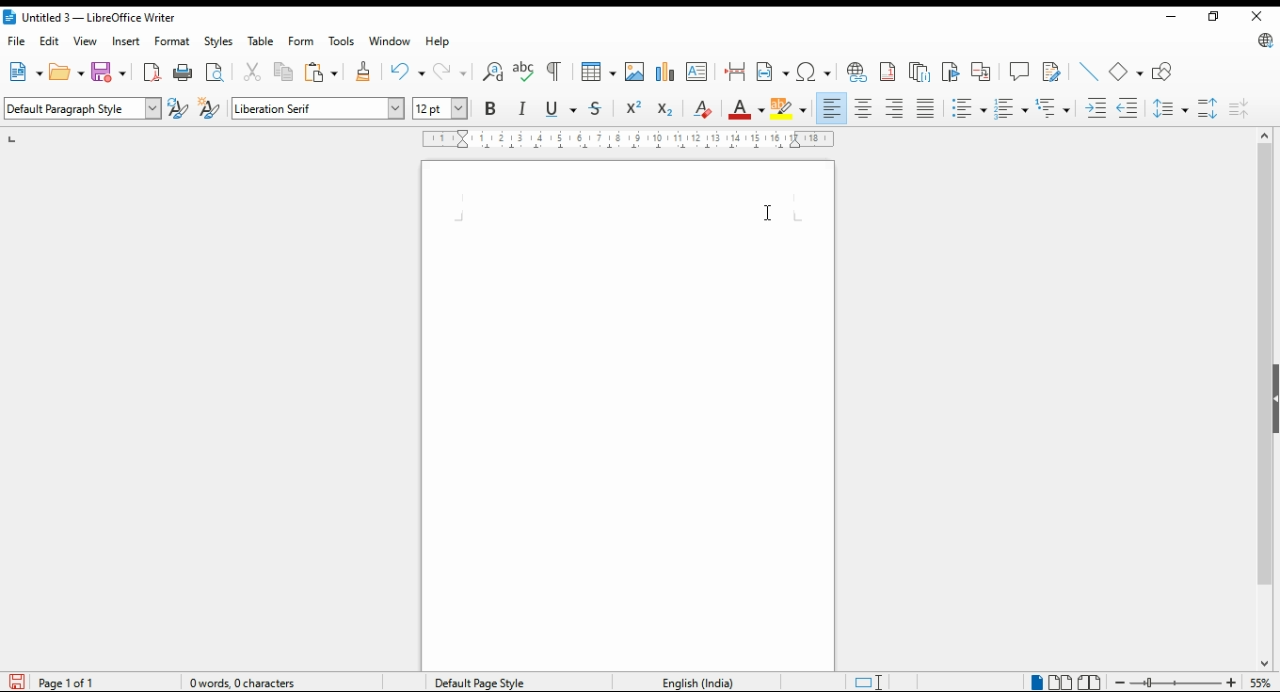 This screenshot has height=692, width=1280. I want to click on styles, so click(217, 42).